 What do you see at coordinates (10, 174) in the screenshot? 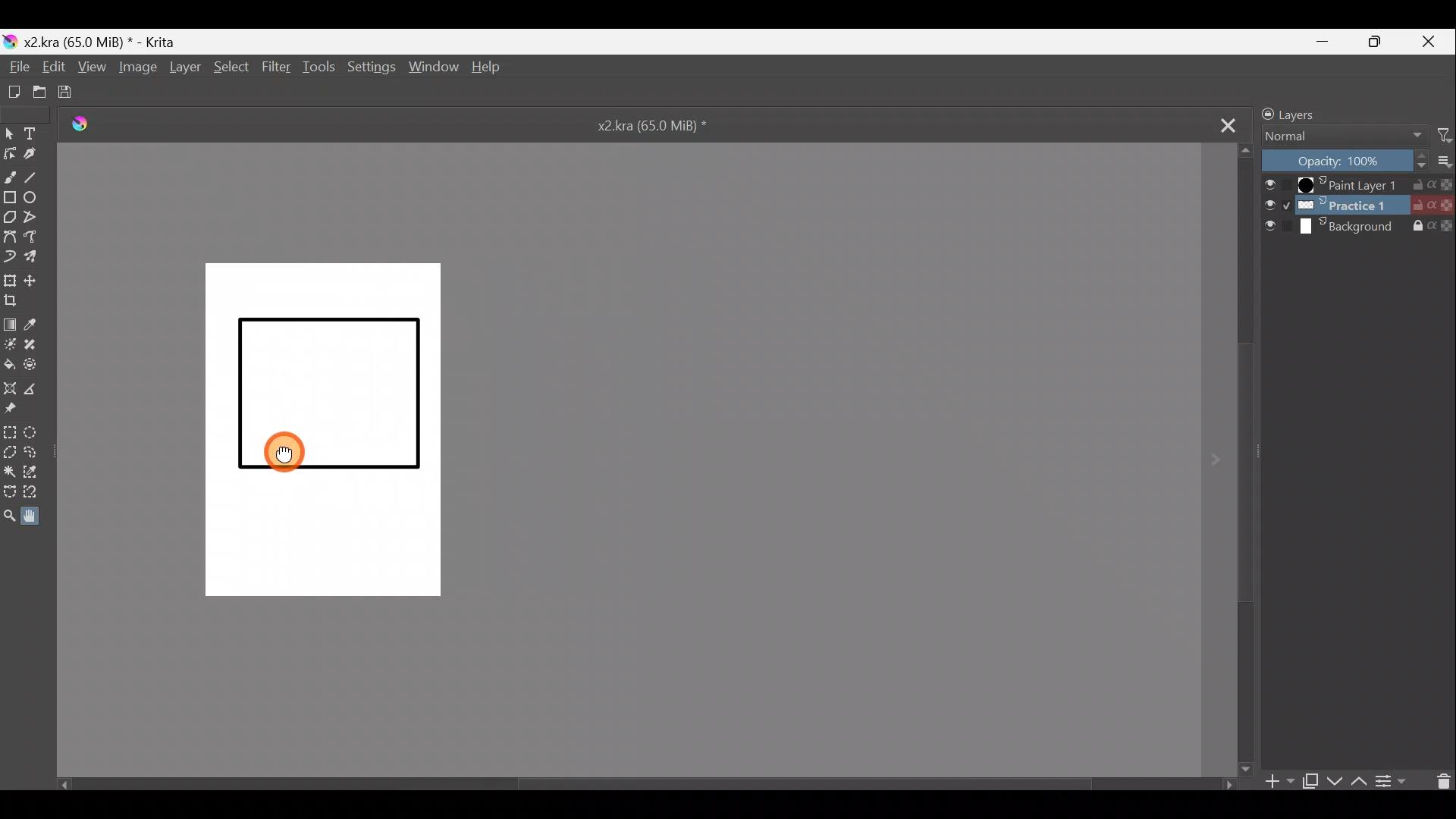
I see `Freehand brush tool` at bounding box center [10, 174].